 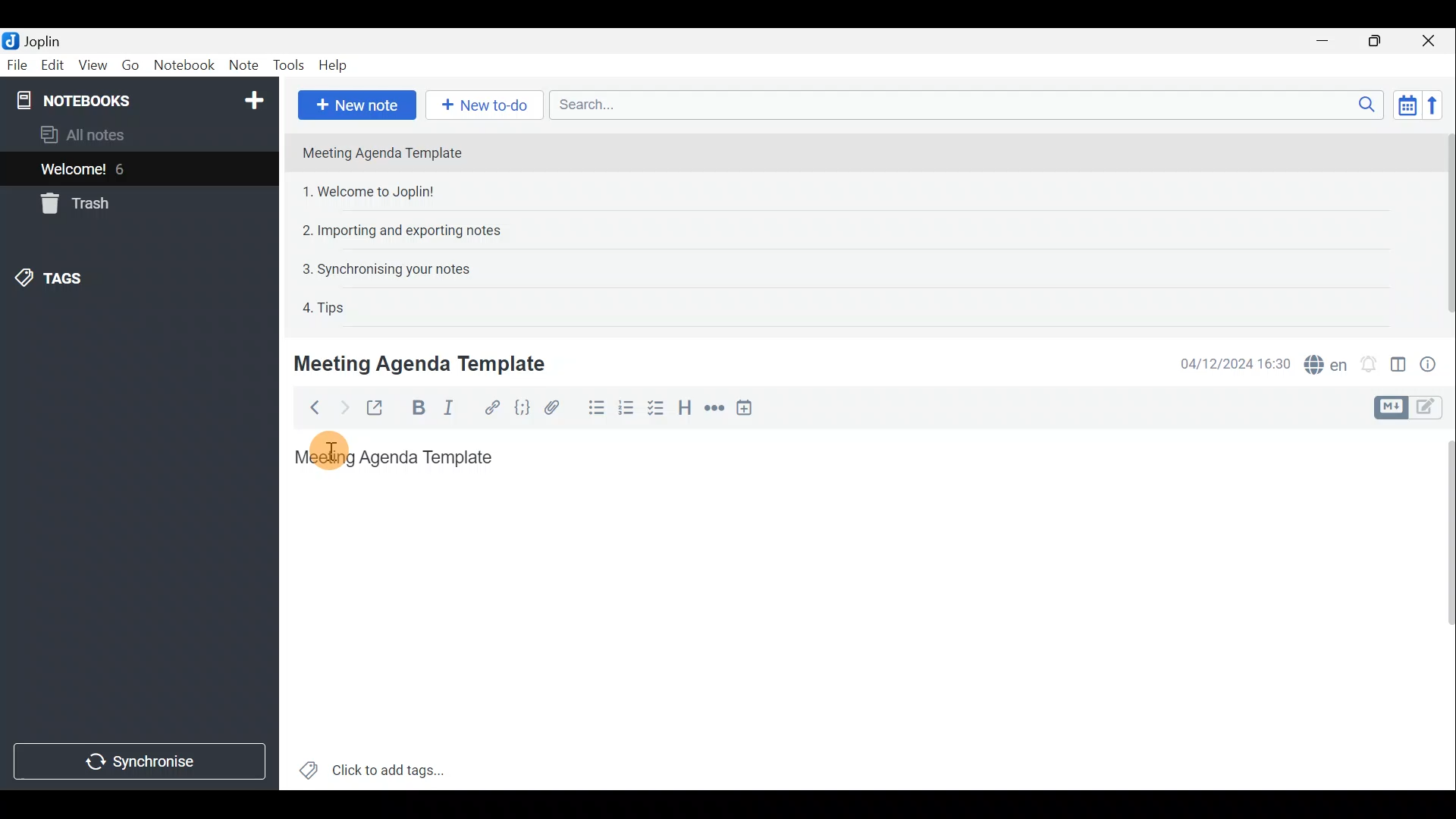 I want to click on Search bar, so click(x=962, y=104).